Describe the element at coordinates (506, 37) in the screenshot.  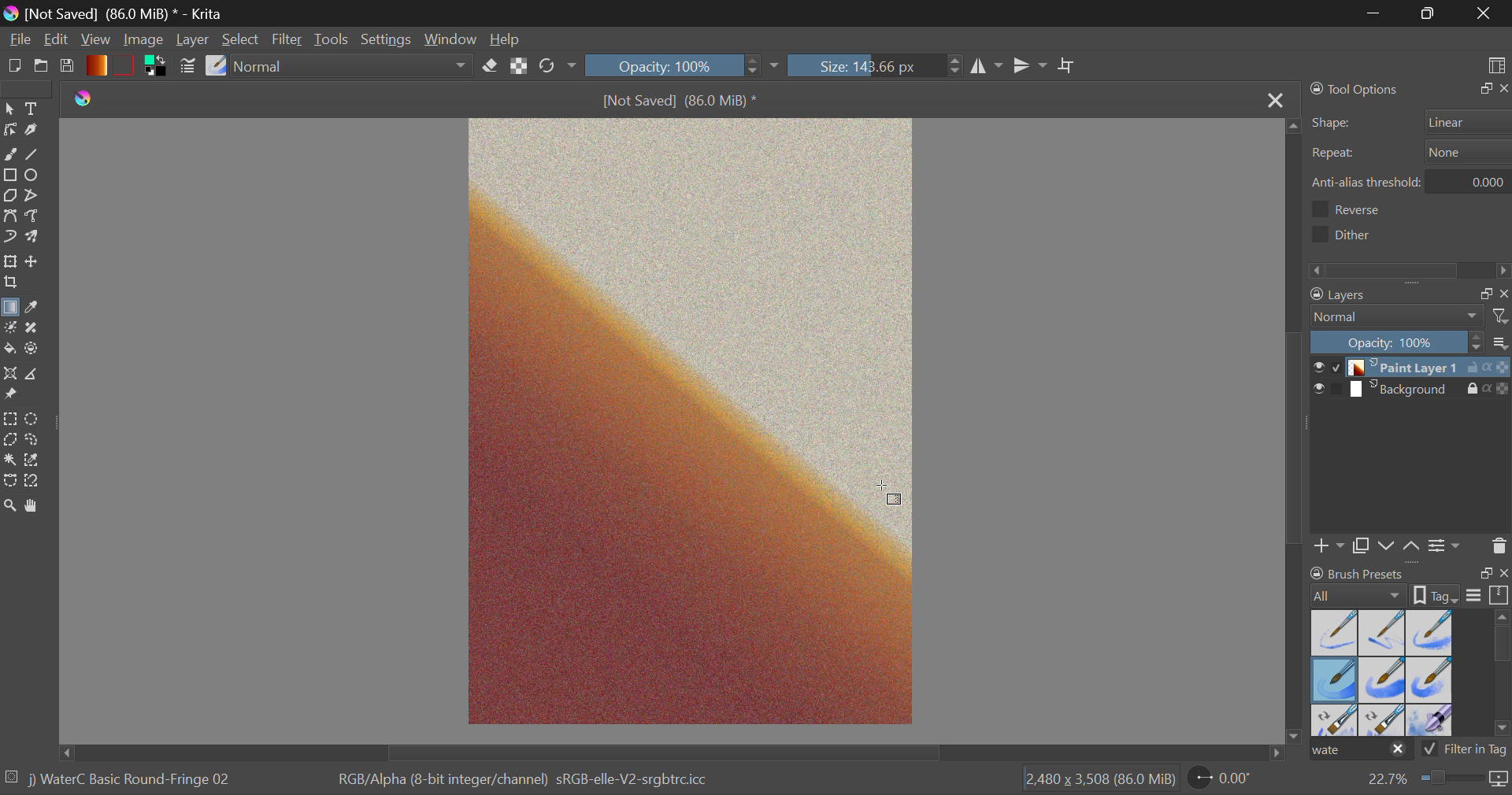
I see `Help` at that location.